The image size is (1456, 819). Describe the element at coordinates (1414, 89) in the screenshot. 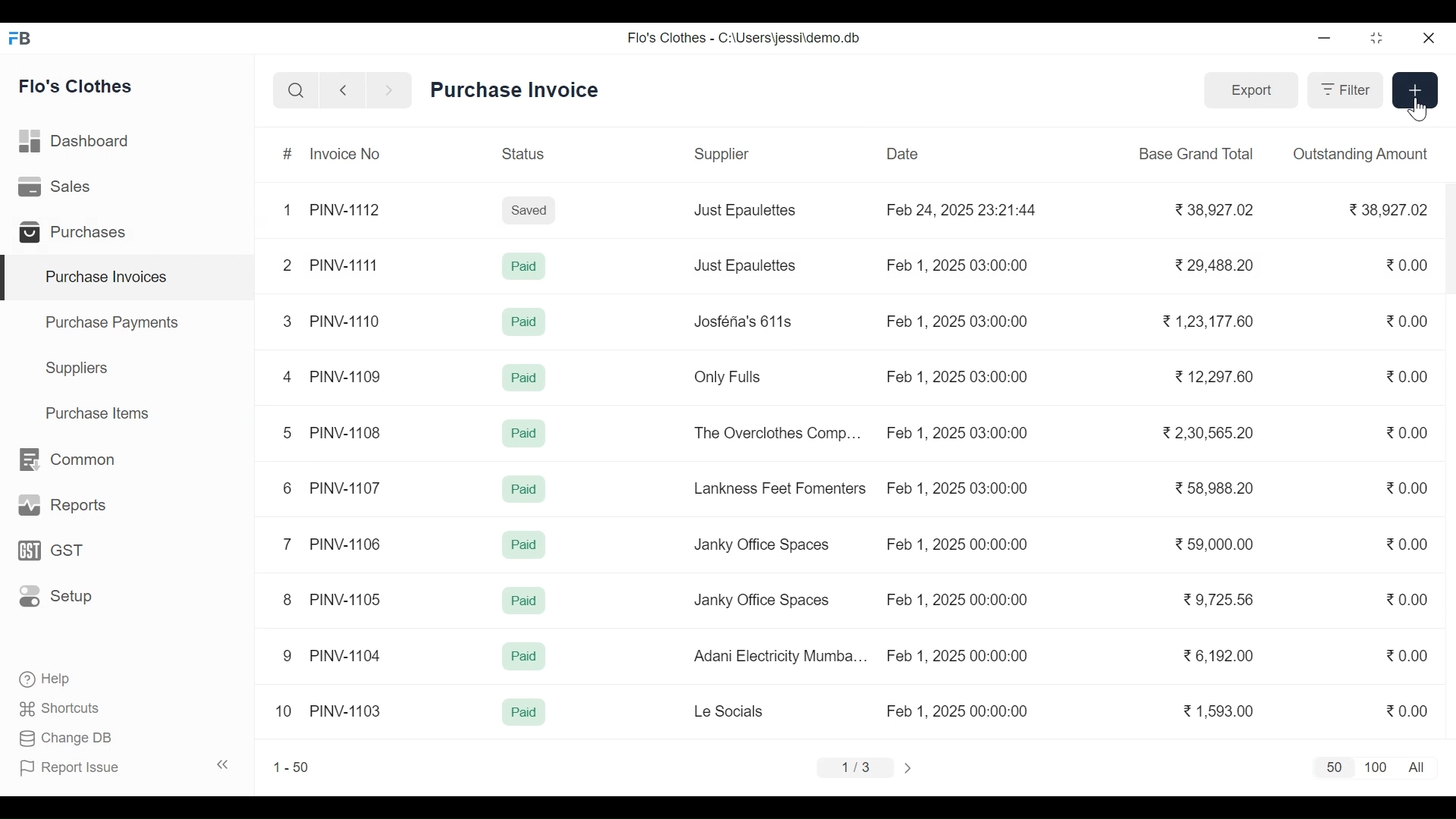

I see `Create` at that location.